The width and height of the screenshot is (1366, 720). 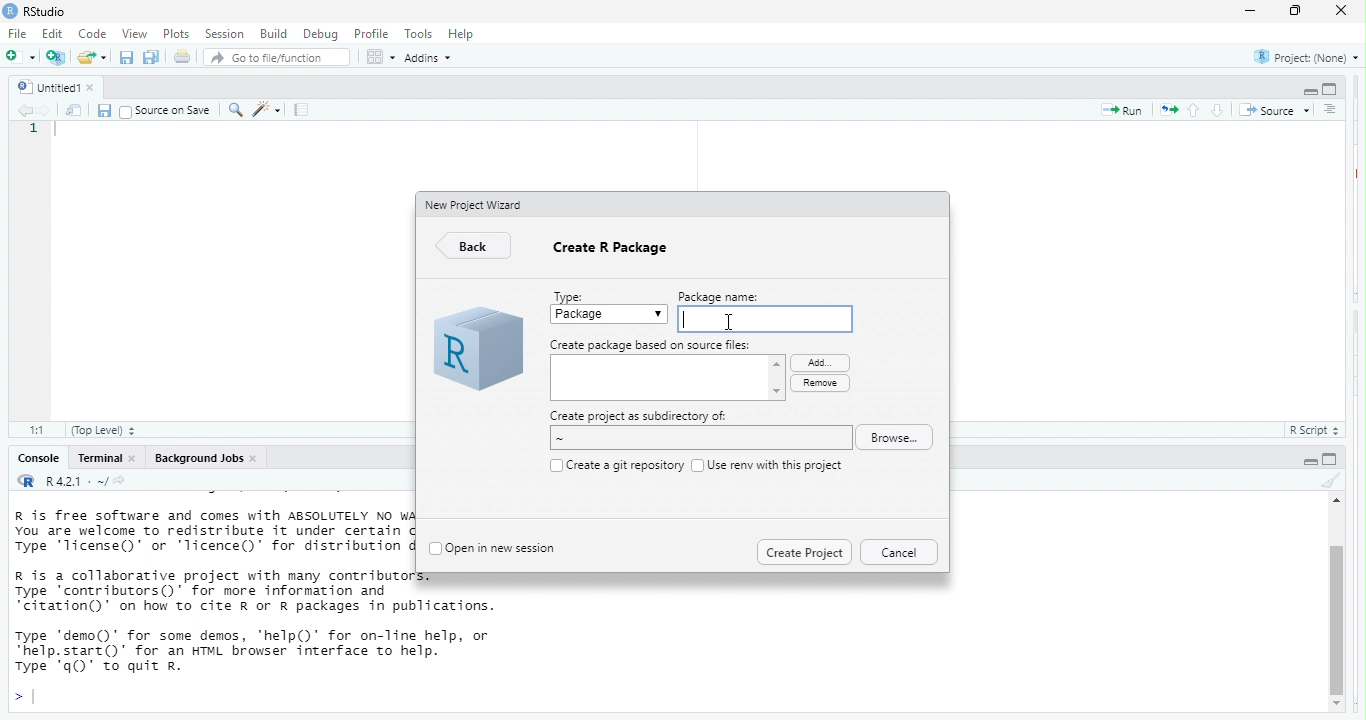 I want to click on  Browse. , so click(x=899, y=438).